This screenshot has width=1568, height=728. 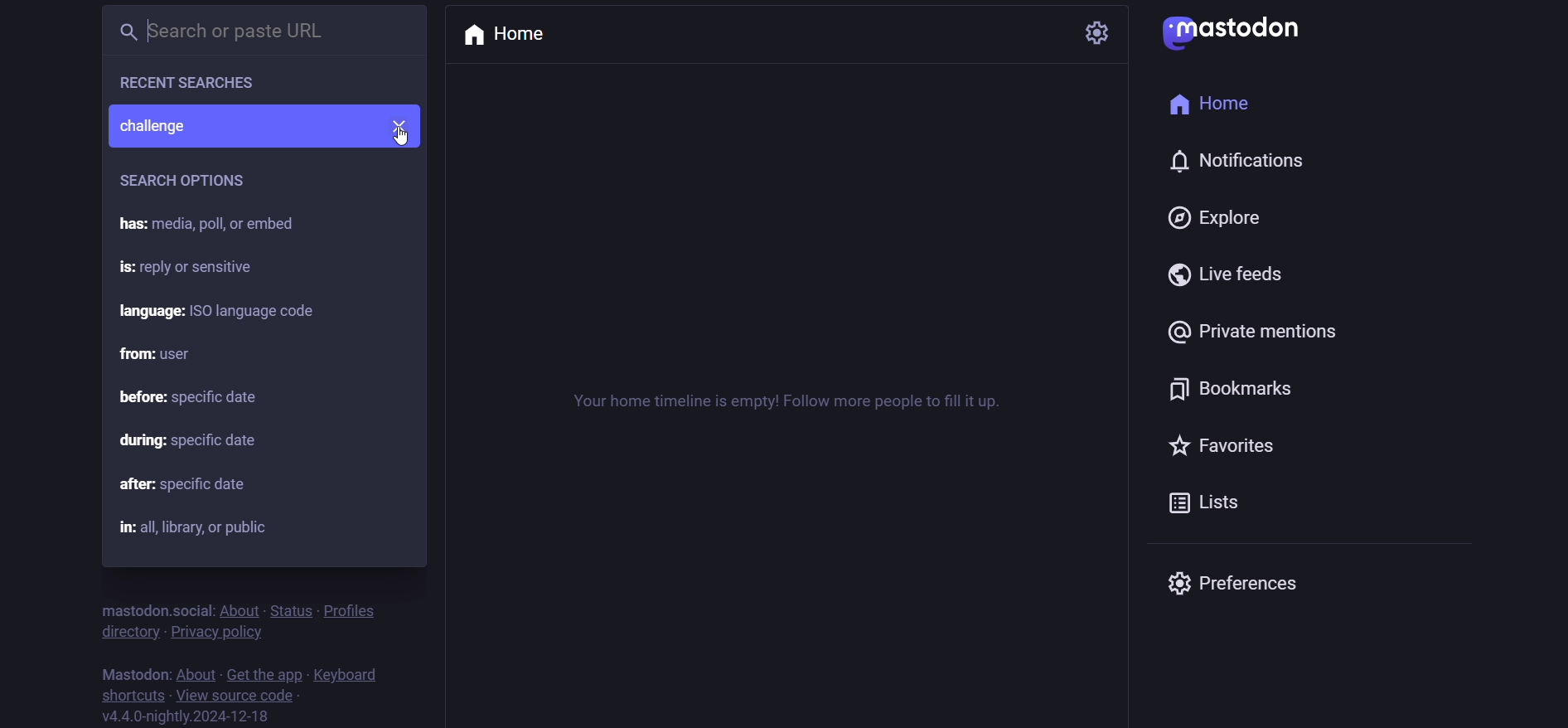 What do you see at coordinates (789, 410) in the screenshot?
I see `instruction` at bounding box center [789, 410].